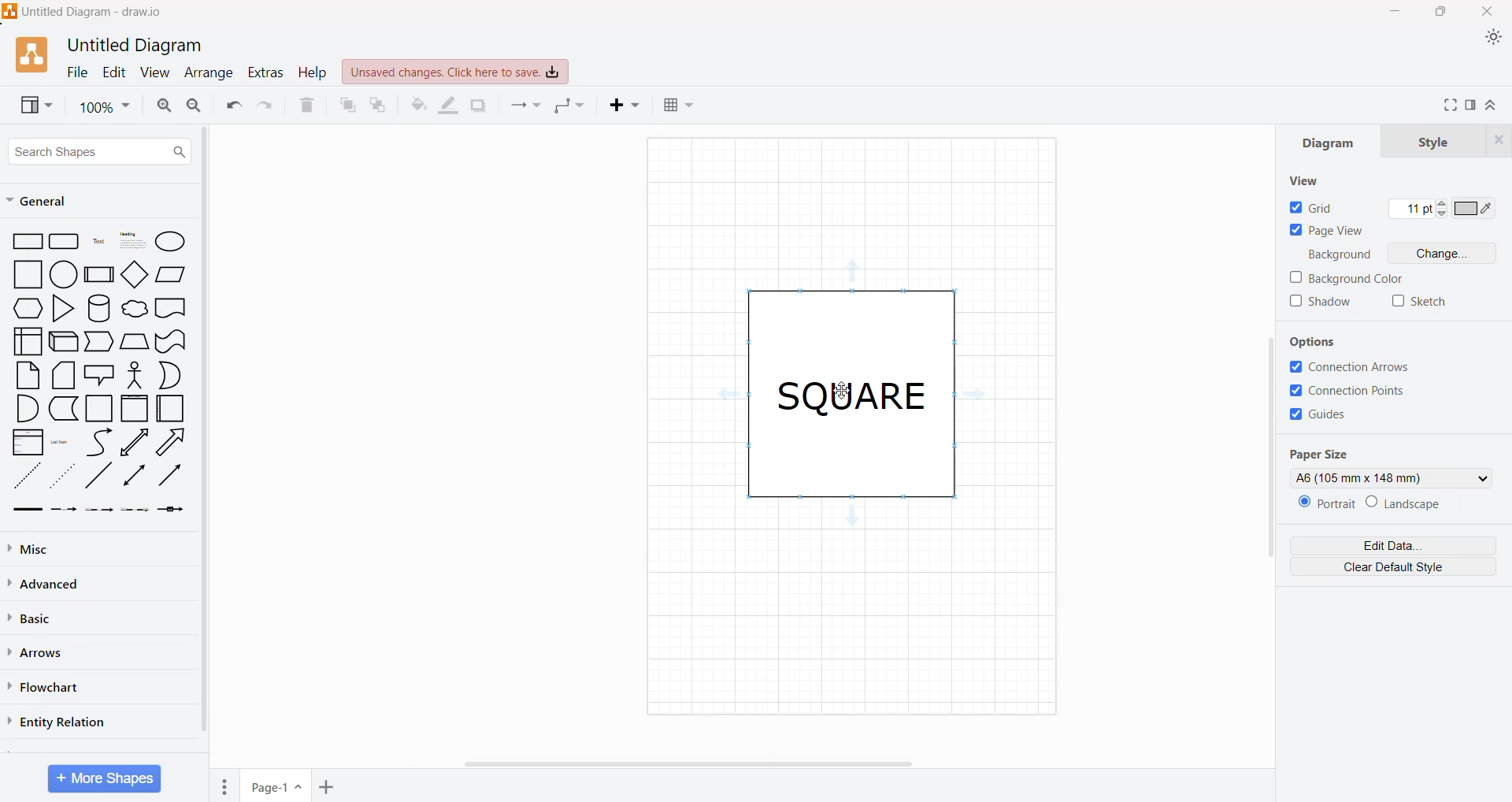 This screenshot has height=802, width=1512. I want to click on Close, so click(1485, 11).